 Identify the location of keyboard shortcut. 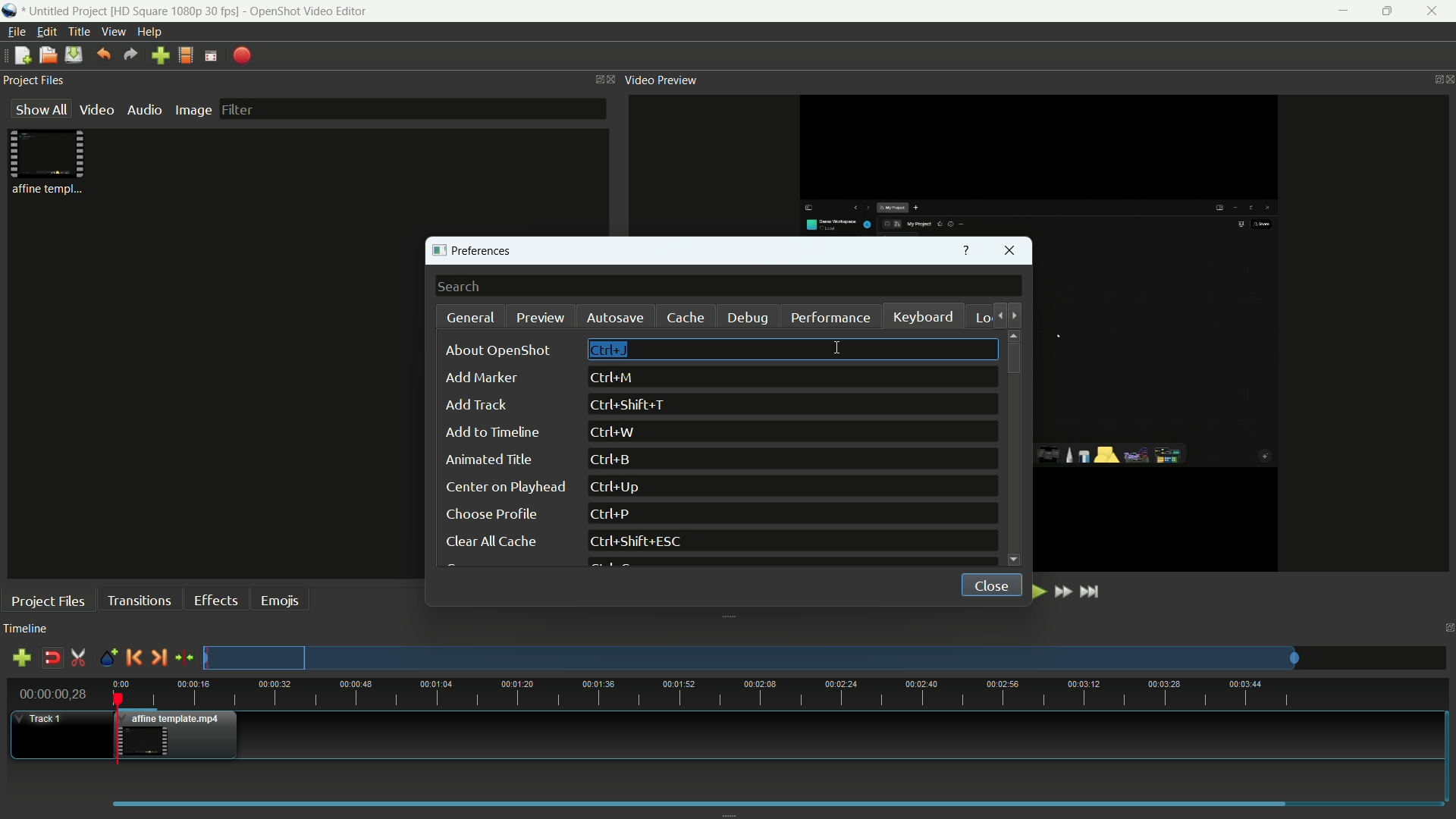
(632, 406).